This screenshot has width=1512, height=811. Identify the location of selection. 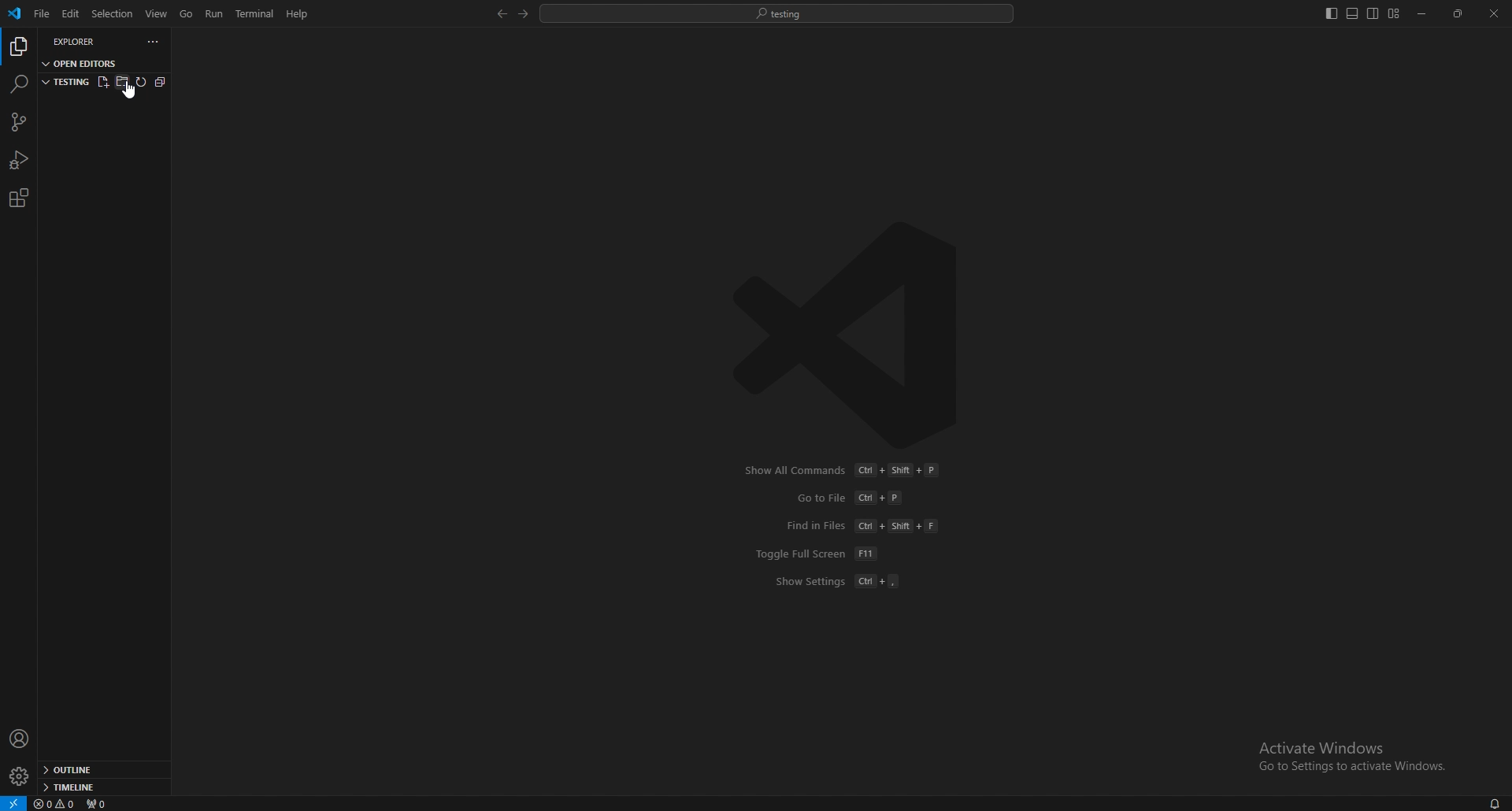
(112, 13).